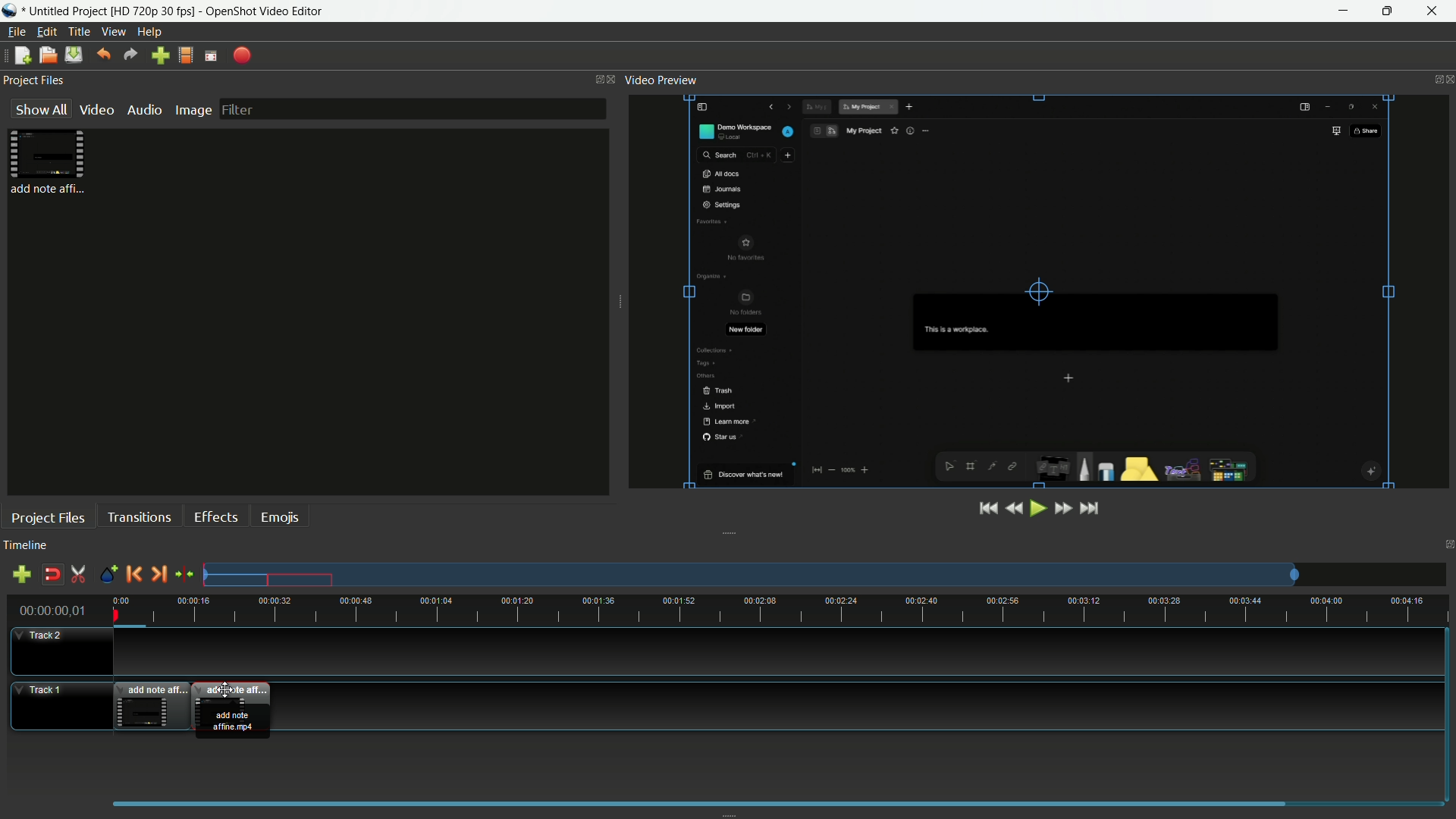 The width and height of the screenshot is (1456, 819). What do you see at coordinates (1342, 11) in the screenshot?
I see `minimize` at bounding box center [1342, 11].